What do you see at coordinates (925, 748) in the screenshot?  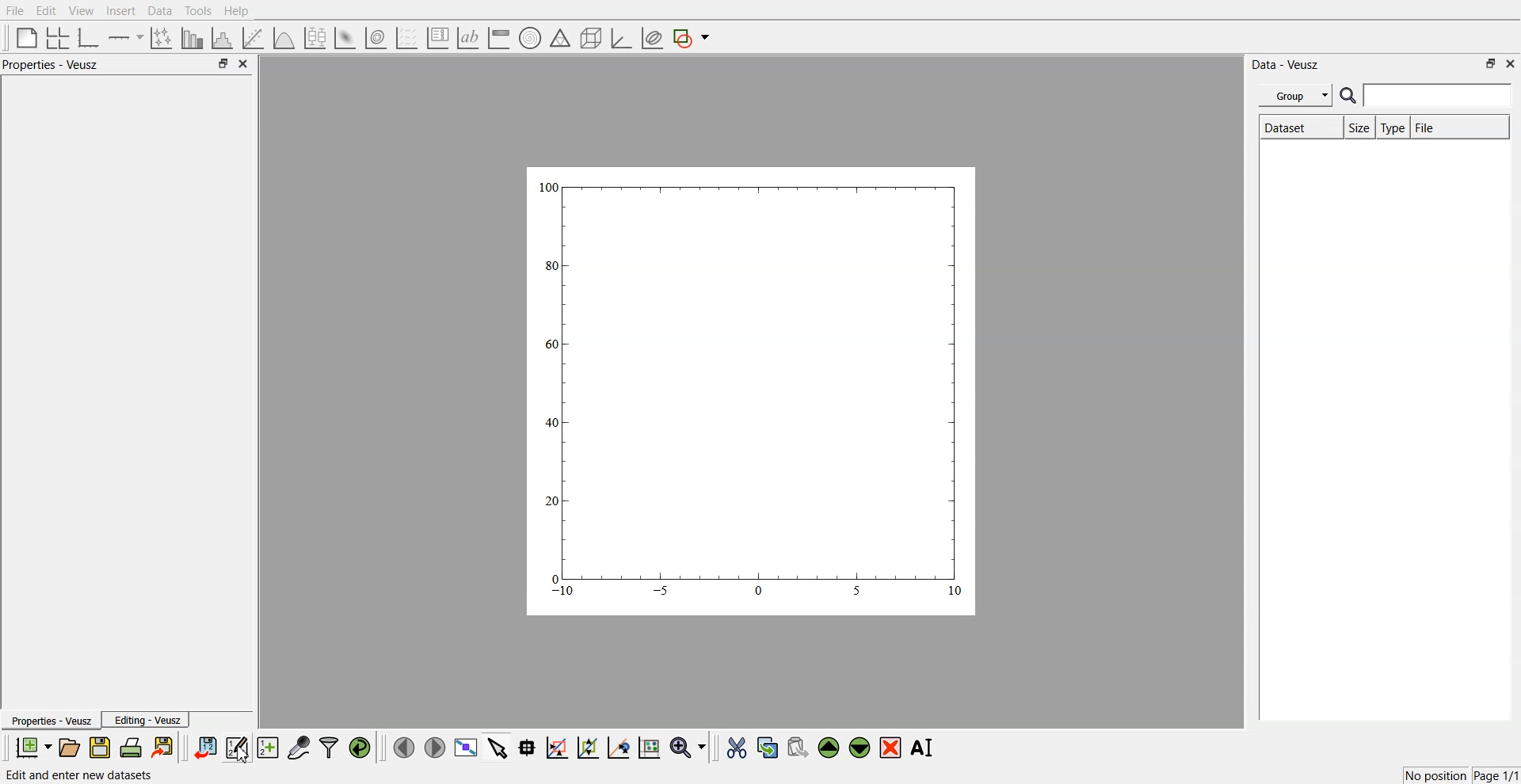 I see `Rename the selected widgets` at bounding box center [925, 748].